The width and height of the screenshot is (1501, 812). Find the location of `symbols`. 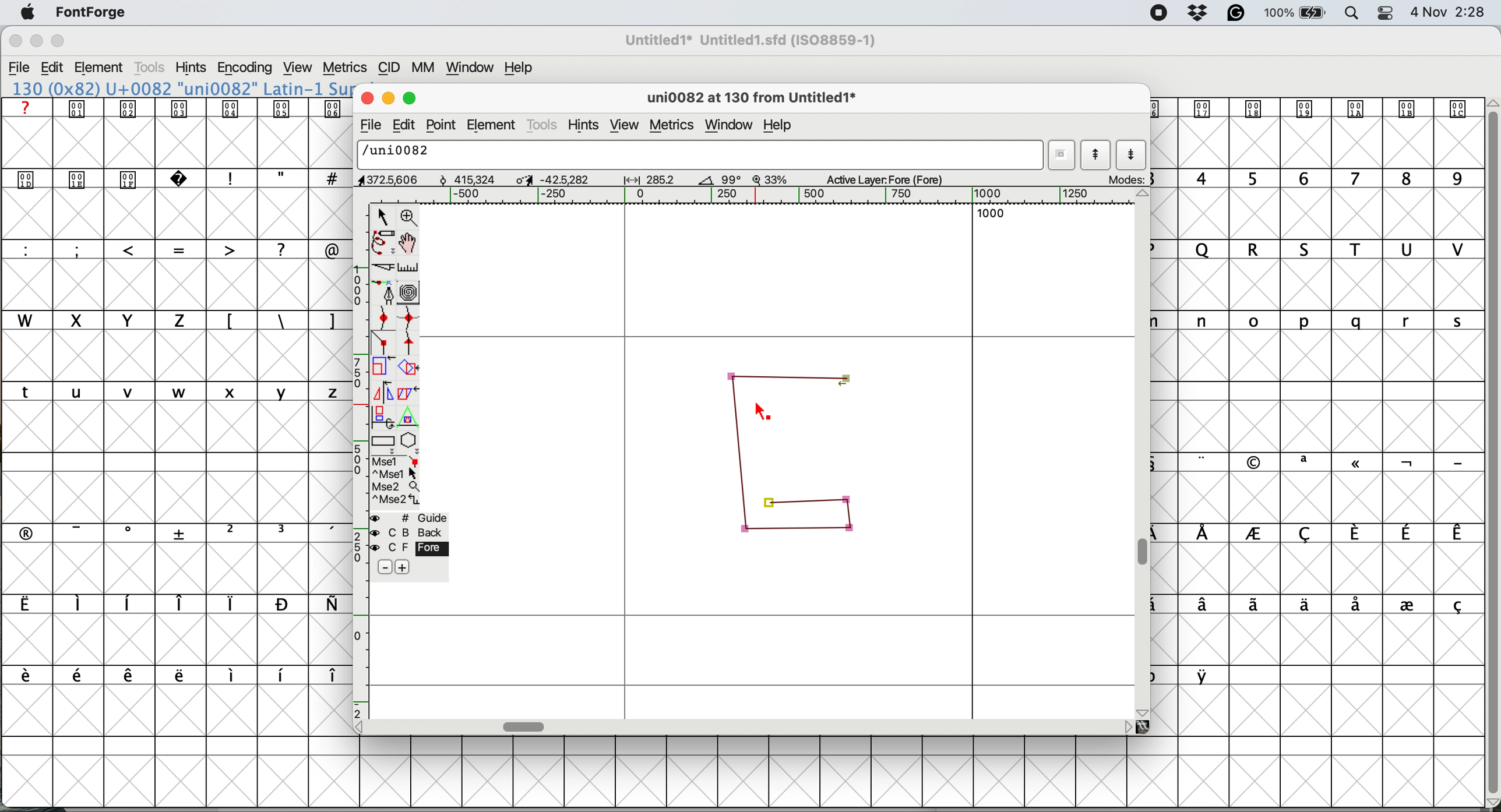

symbols is located at coordinates (1331, 534).